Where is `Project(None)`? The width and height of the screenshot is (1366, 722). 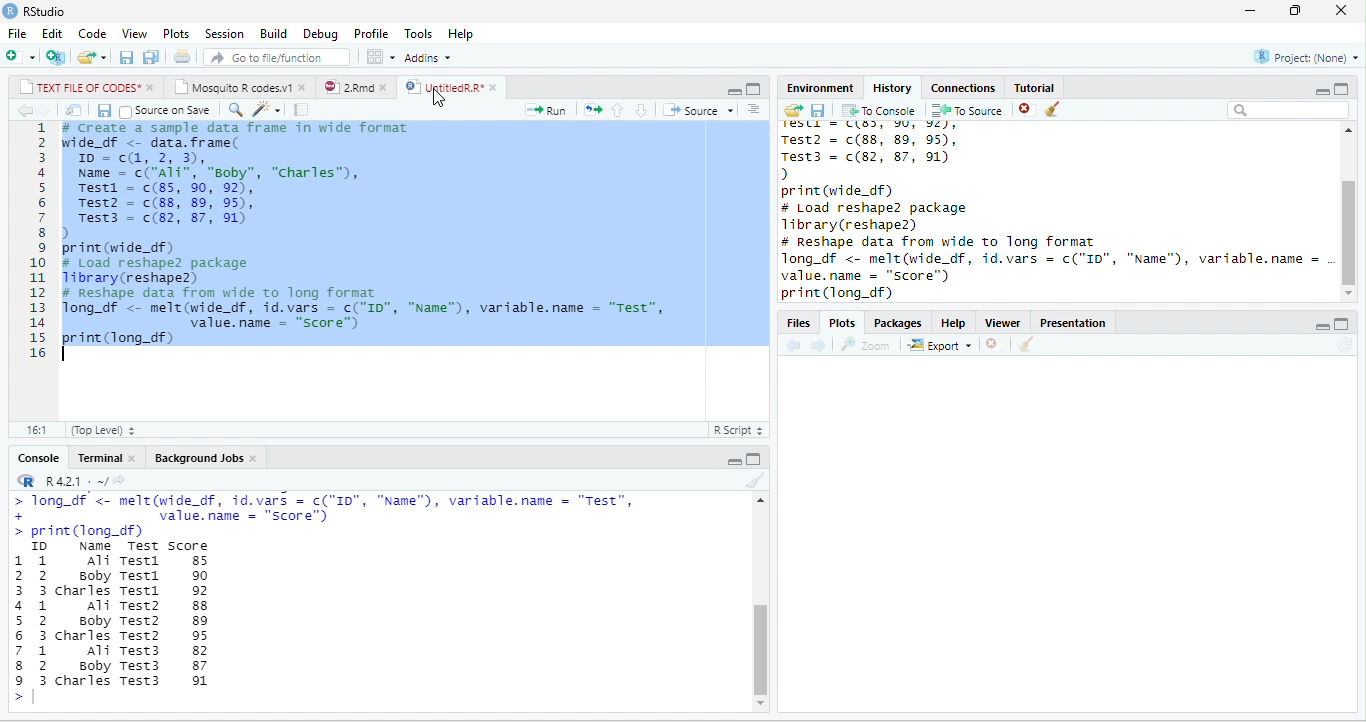
Project(None) is located at coordinates (1306, 57).